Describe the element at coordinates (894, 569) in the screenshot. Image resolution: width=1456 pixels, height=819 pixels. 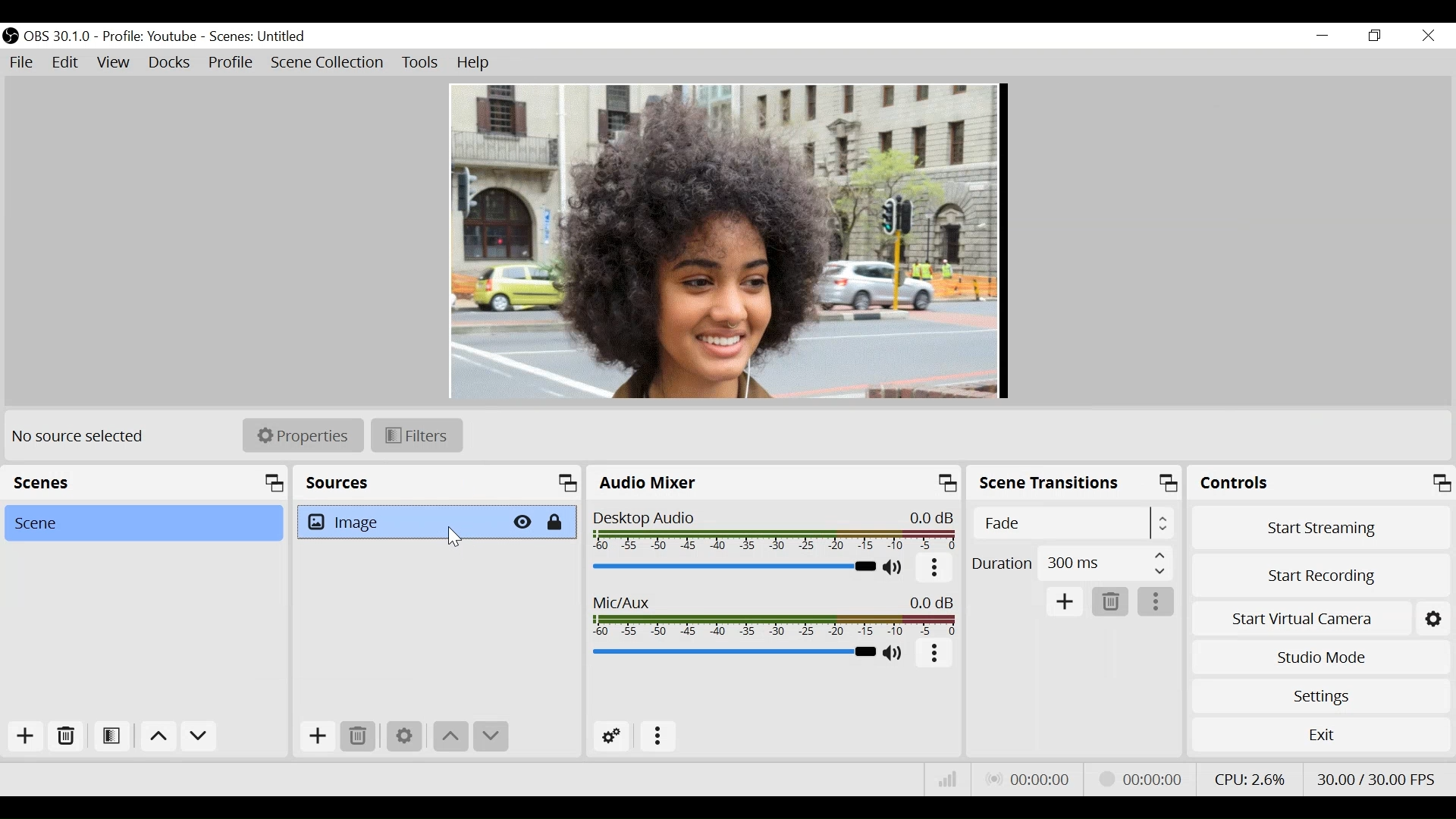
I see `(un)mute` at that location.